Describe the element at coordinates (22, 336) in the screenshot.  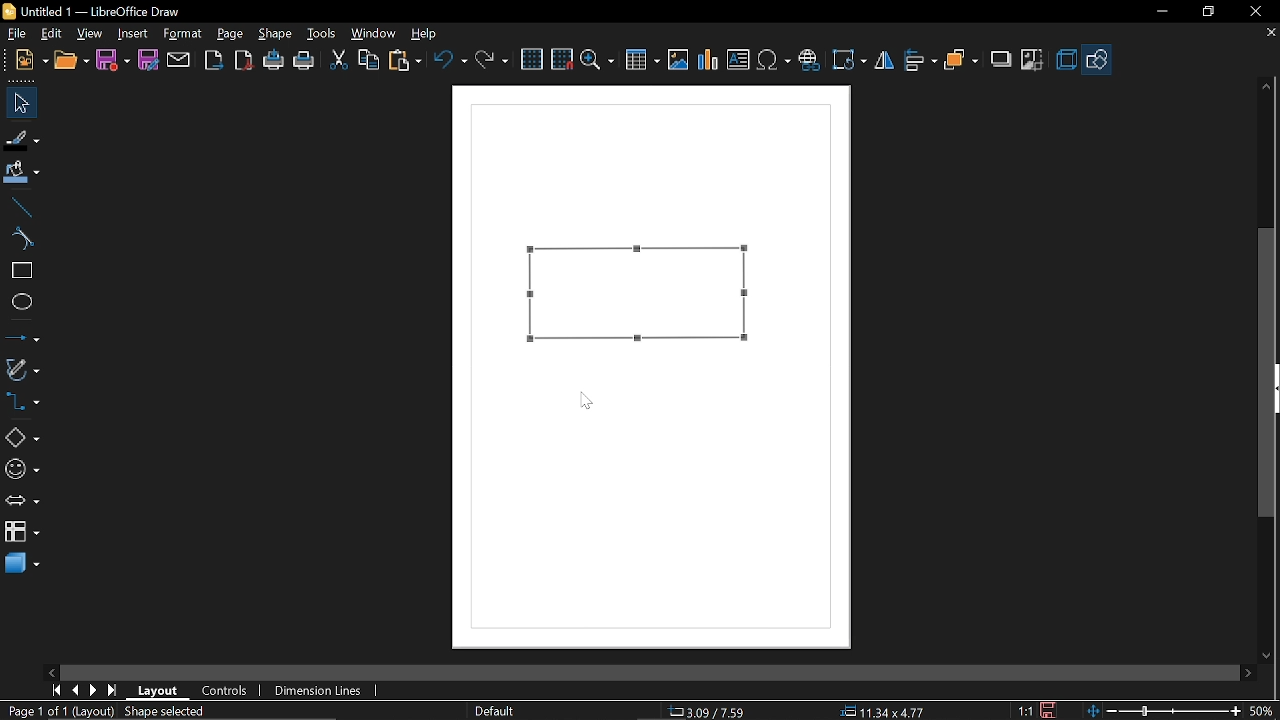
I see `line and arrows` at that location.